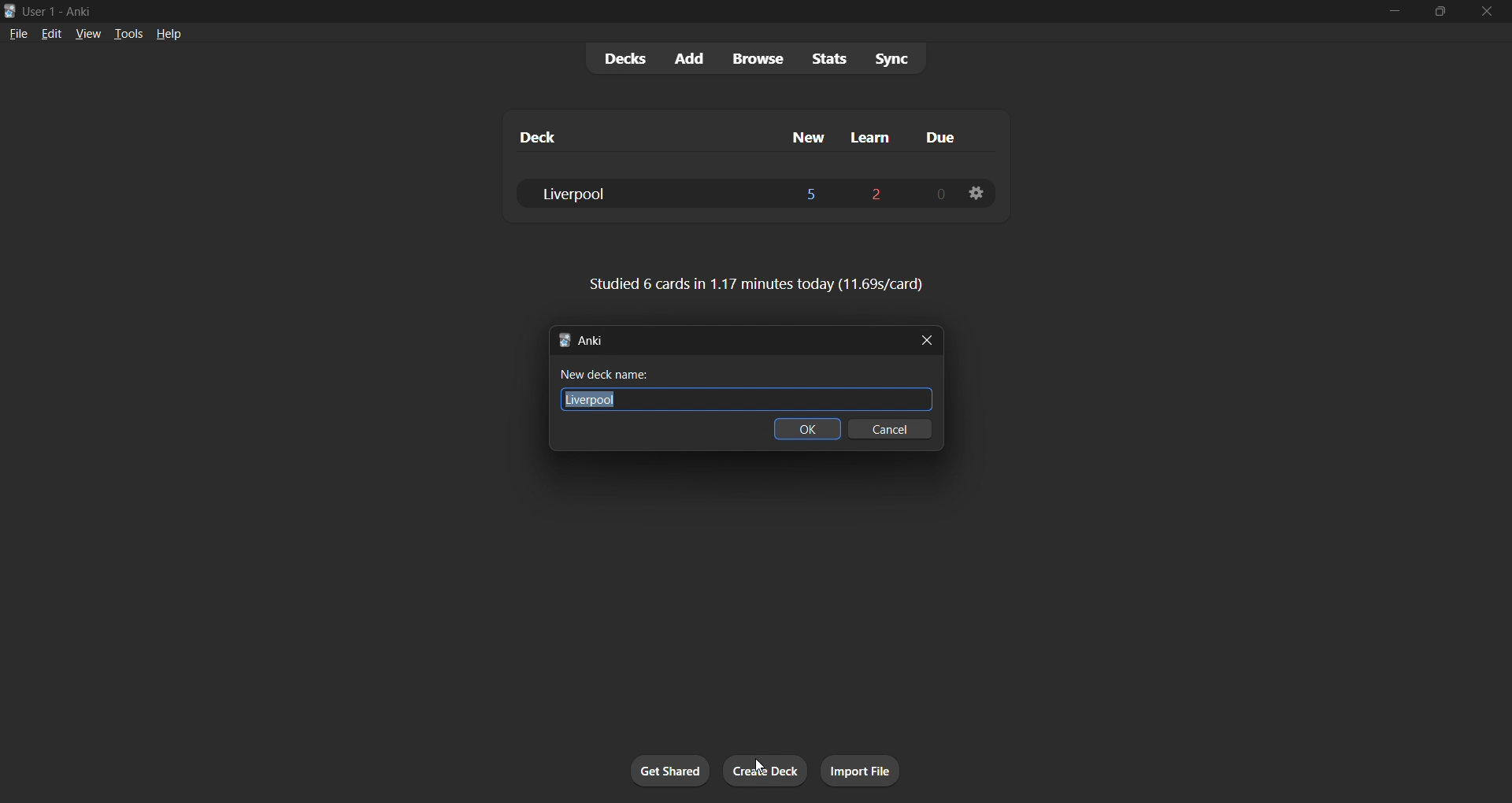  What do you see at coordinates (976, 193) in the screenshot?
I see `deck settings` at bounding box center [976, 193].